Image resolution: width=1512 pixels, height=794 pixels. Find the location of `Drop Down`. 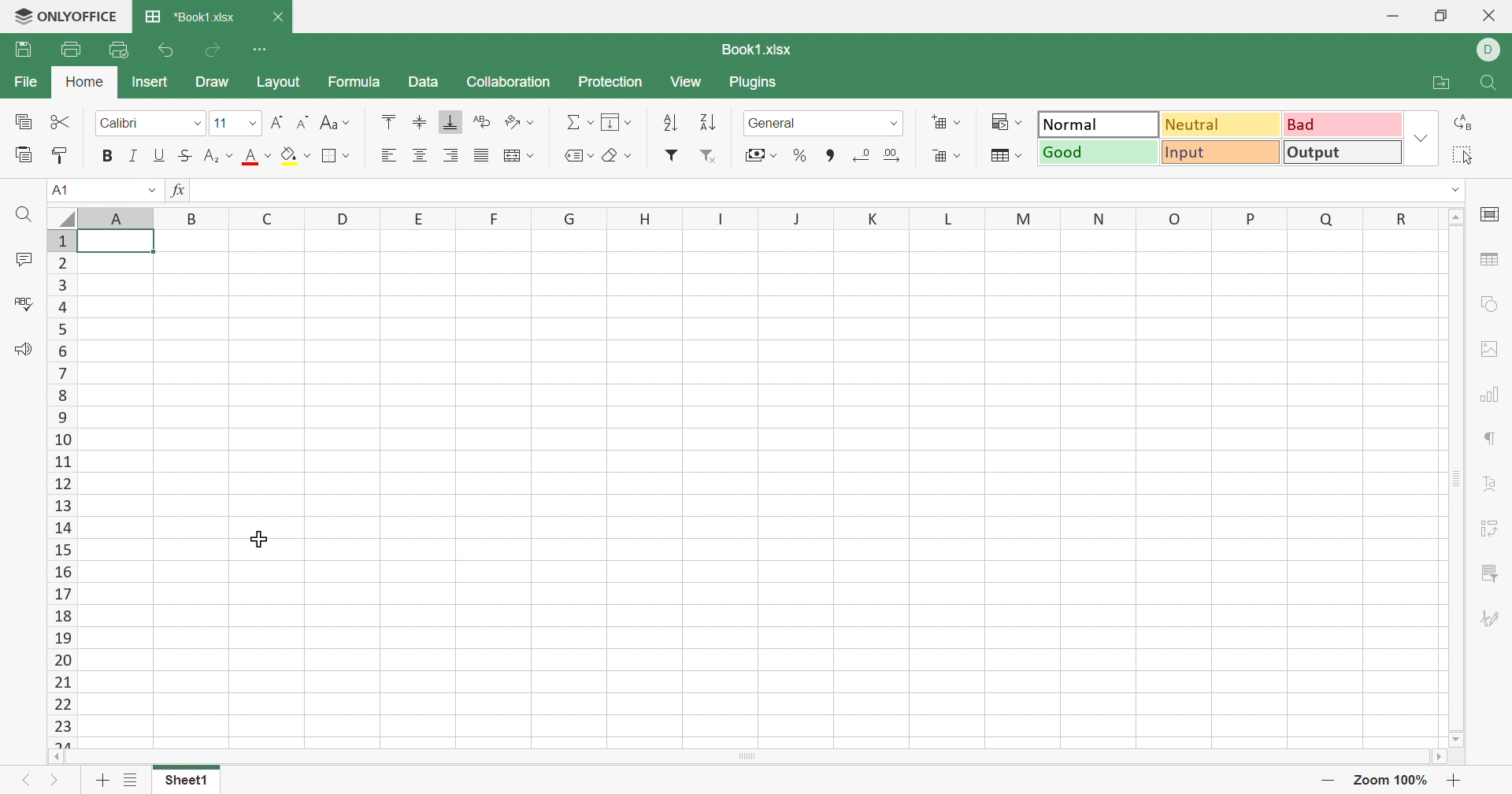

Drop Down is located at coordinates (1024, 121).